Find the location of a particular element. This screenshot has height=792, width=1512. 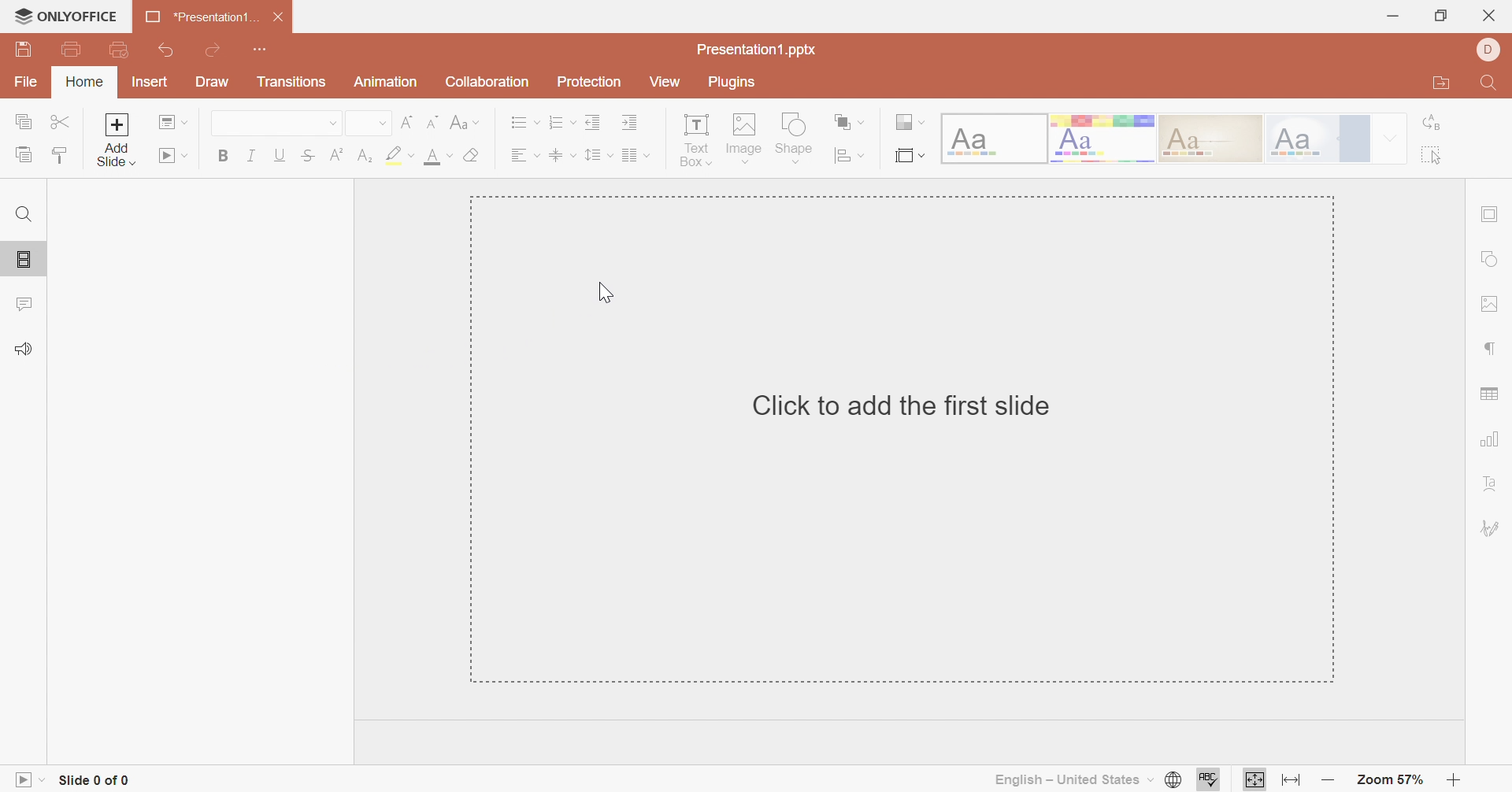

Collection is located at coordinates (486, 81).